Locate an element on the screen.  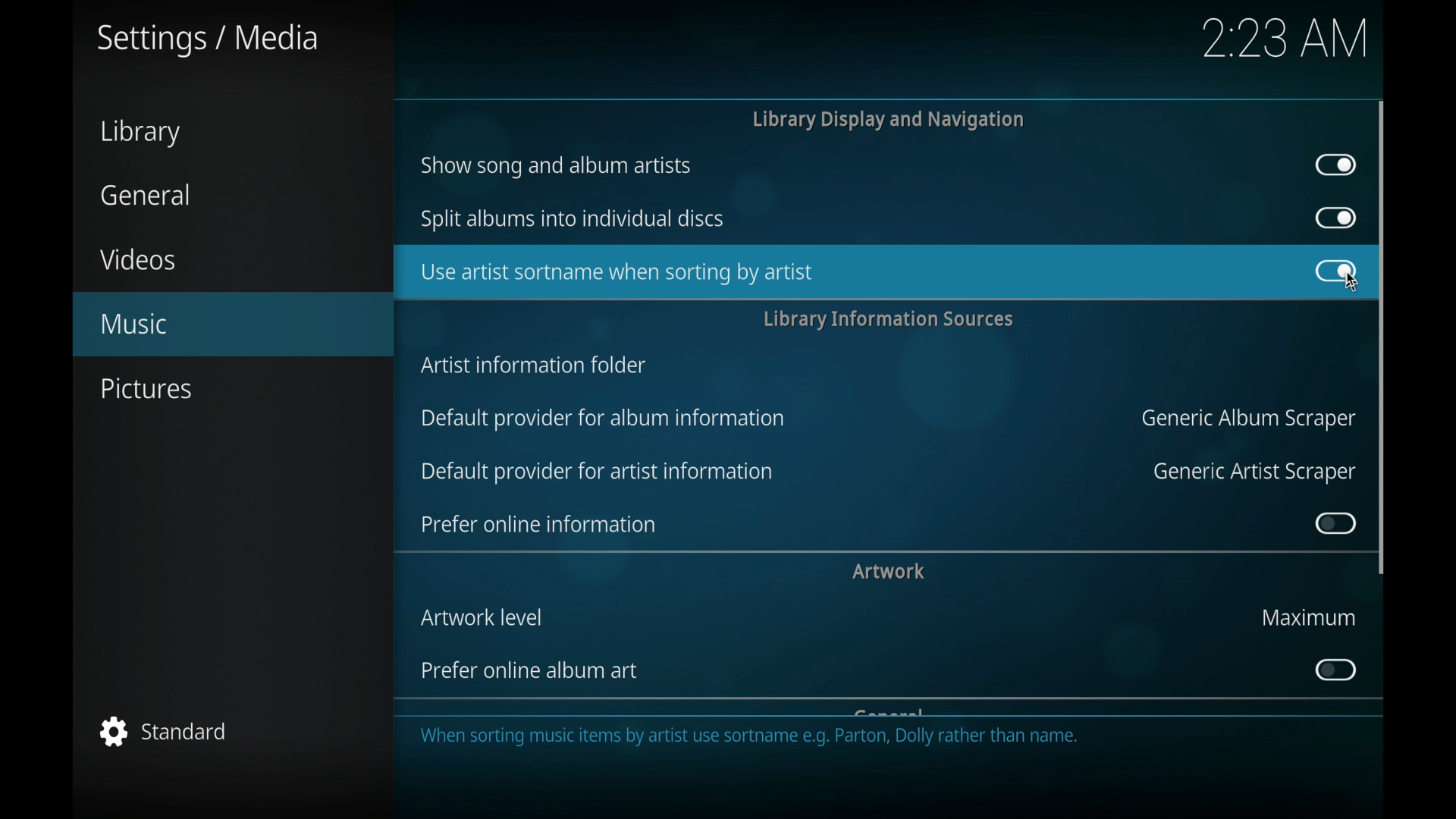
toggle button is located at coordinates (1336, 165).